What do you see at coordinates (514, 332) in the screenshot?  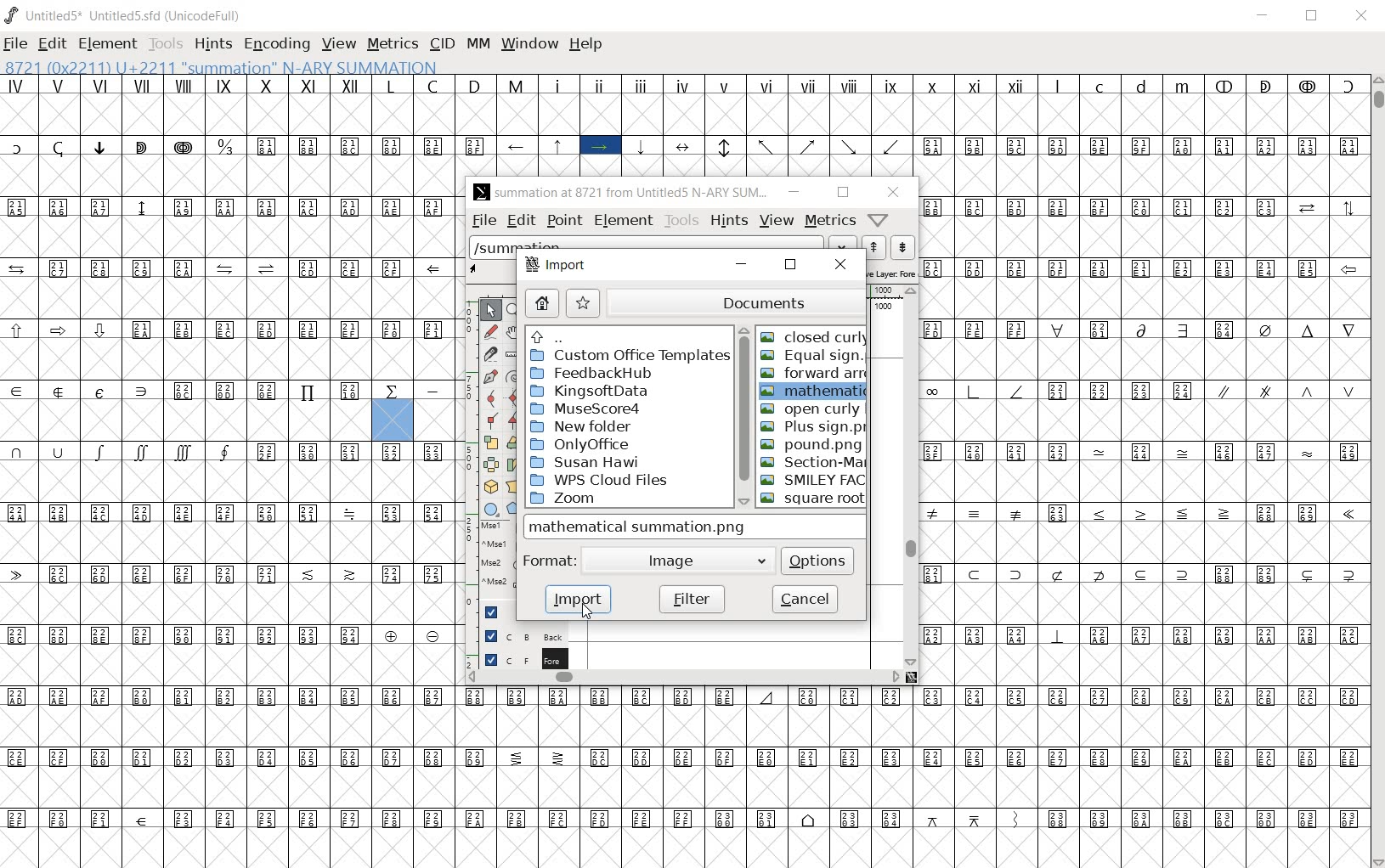 I see `scroll by hand` at bounding box center [514, 332].